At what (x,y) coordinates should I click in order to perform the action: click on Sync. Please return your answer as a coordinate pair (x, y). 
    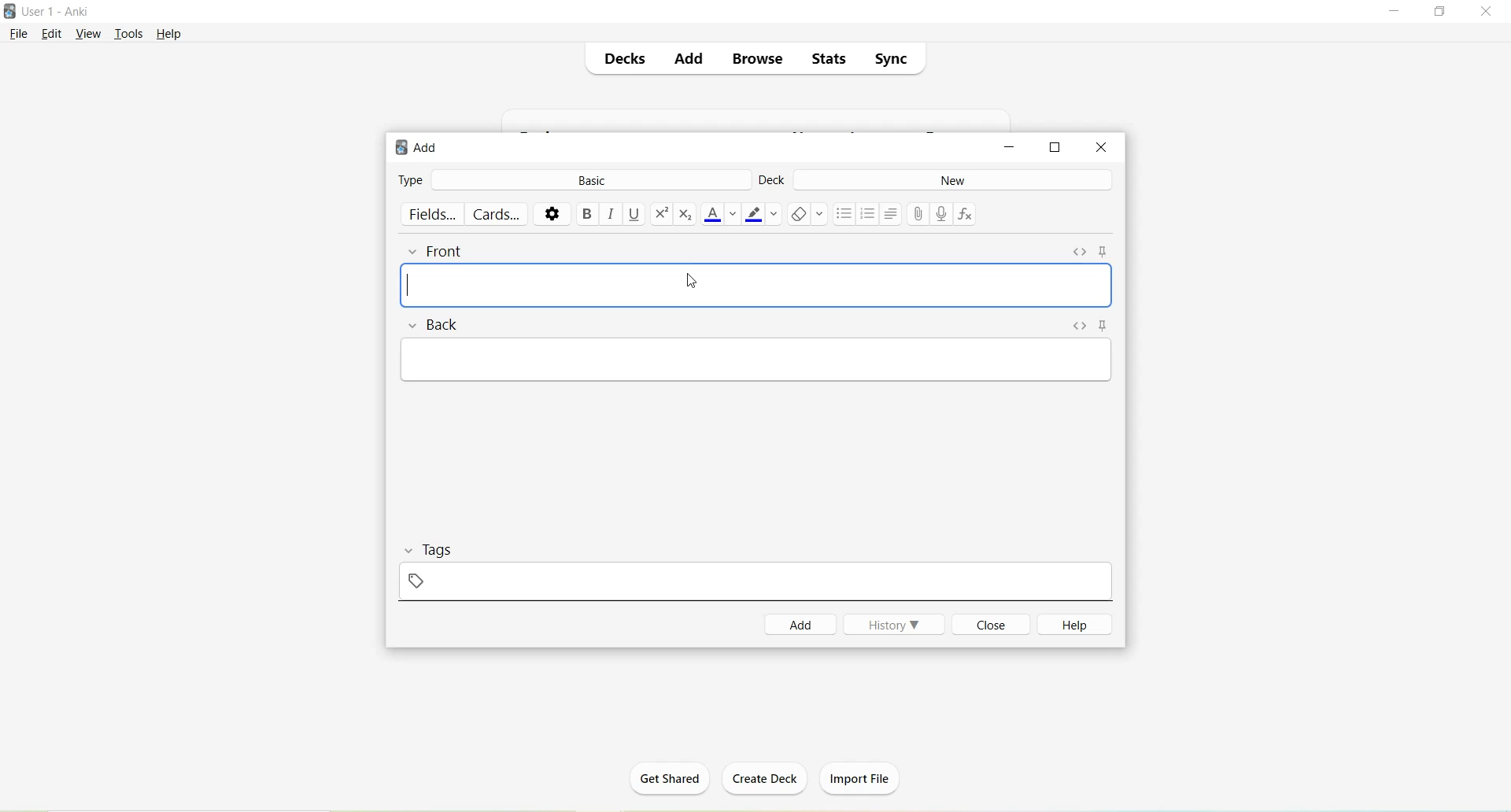
    Looking at the image, I should click on (890, 56).